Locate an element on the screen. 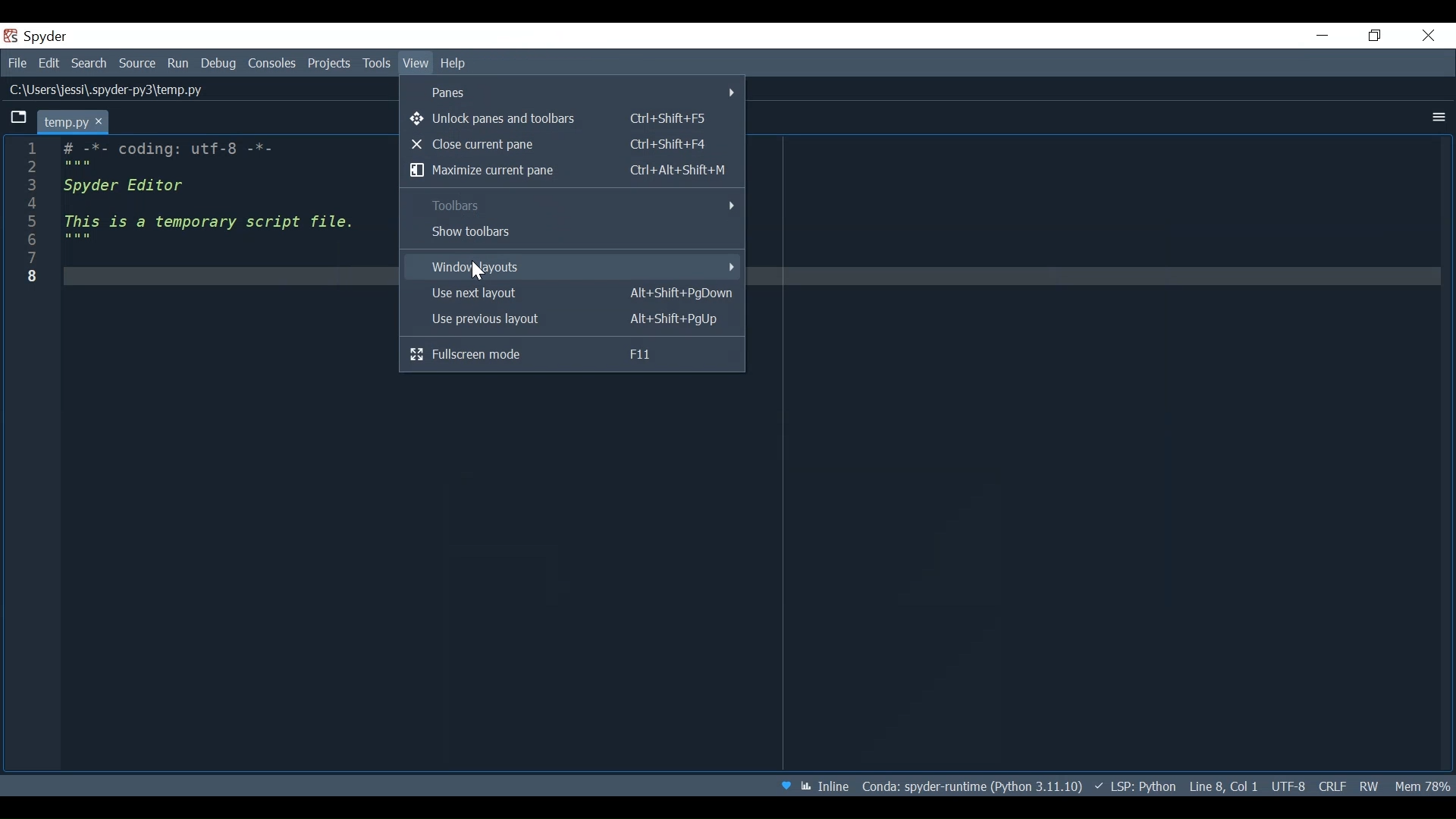 The image size is (1456, 819). Unlock panes and toolbars is located at coordinates (570, 119).